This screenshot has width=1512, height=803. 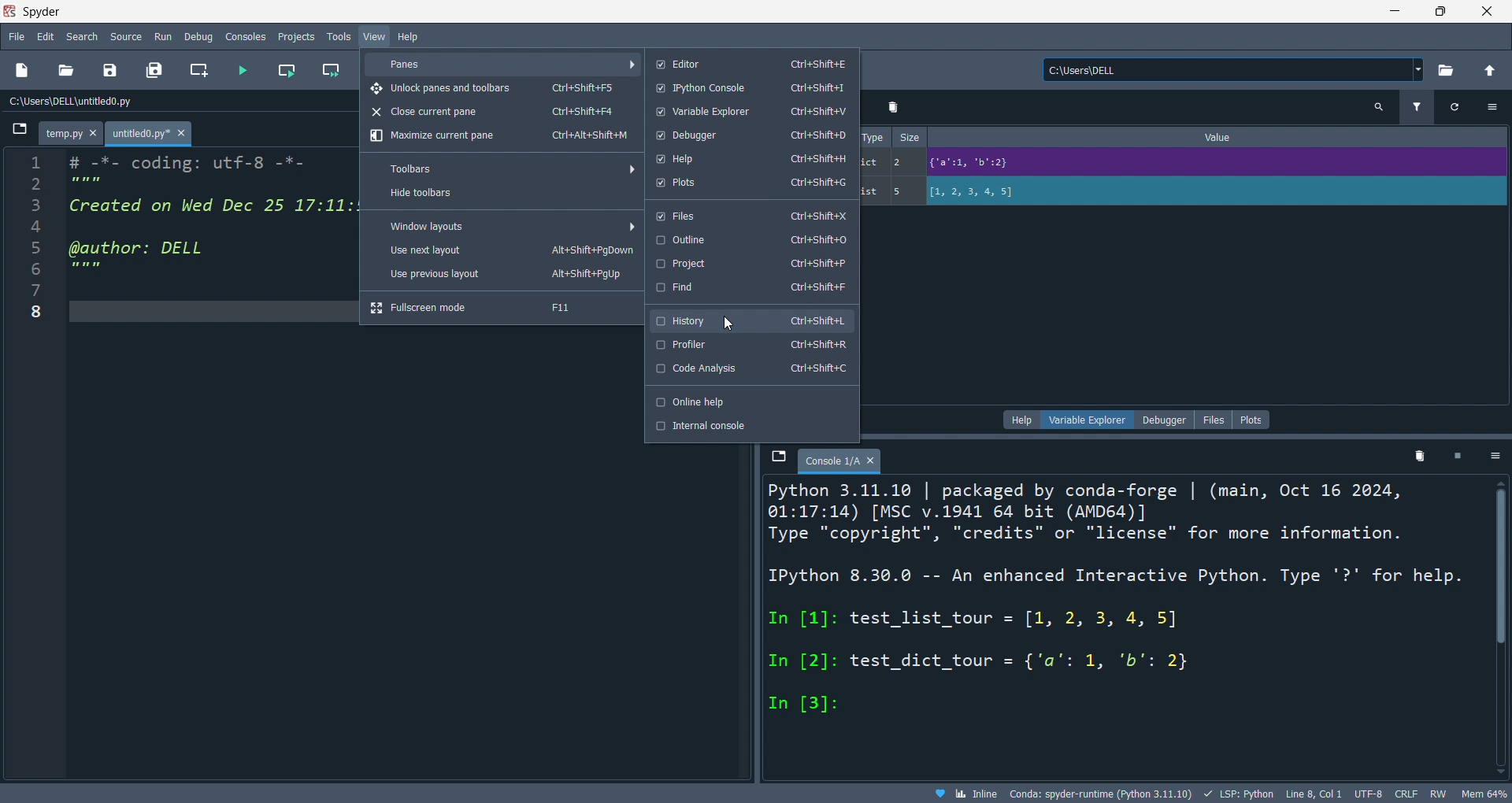 I want to click on save, so click(x=107, y=72).